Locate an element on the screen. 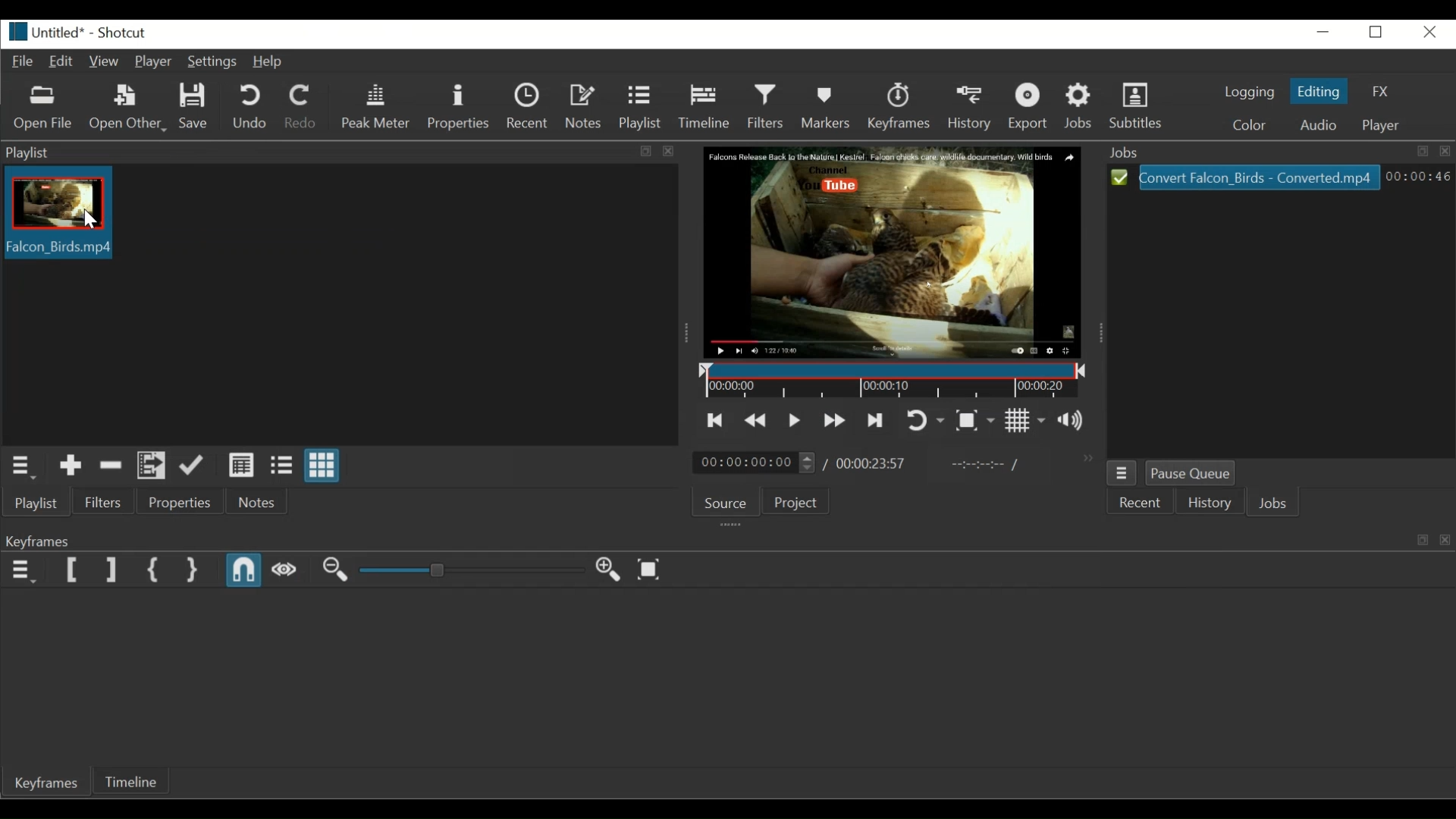  Keyframes is located at coordinates (899, 106).